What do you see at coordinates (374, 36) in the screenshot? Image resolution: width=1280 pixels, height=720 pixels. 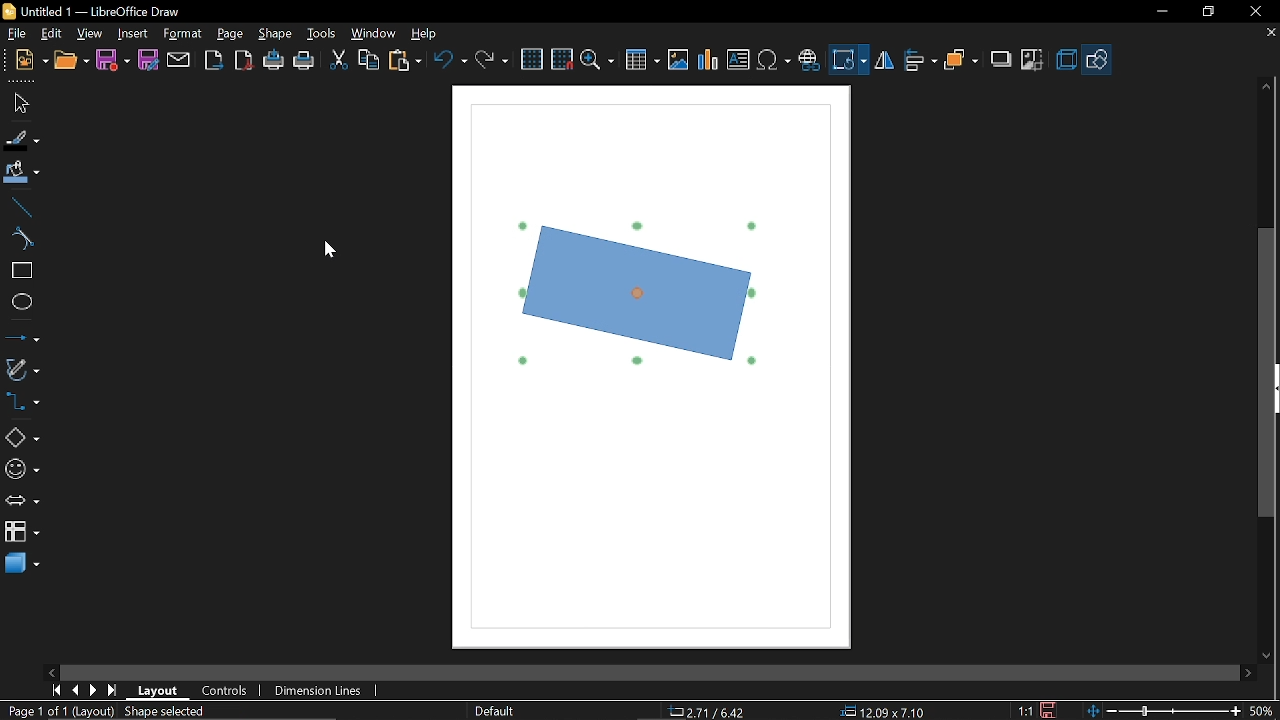 I see `window` at bounding box center [374, 36].